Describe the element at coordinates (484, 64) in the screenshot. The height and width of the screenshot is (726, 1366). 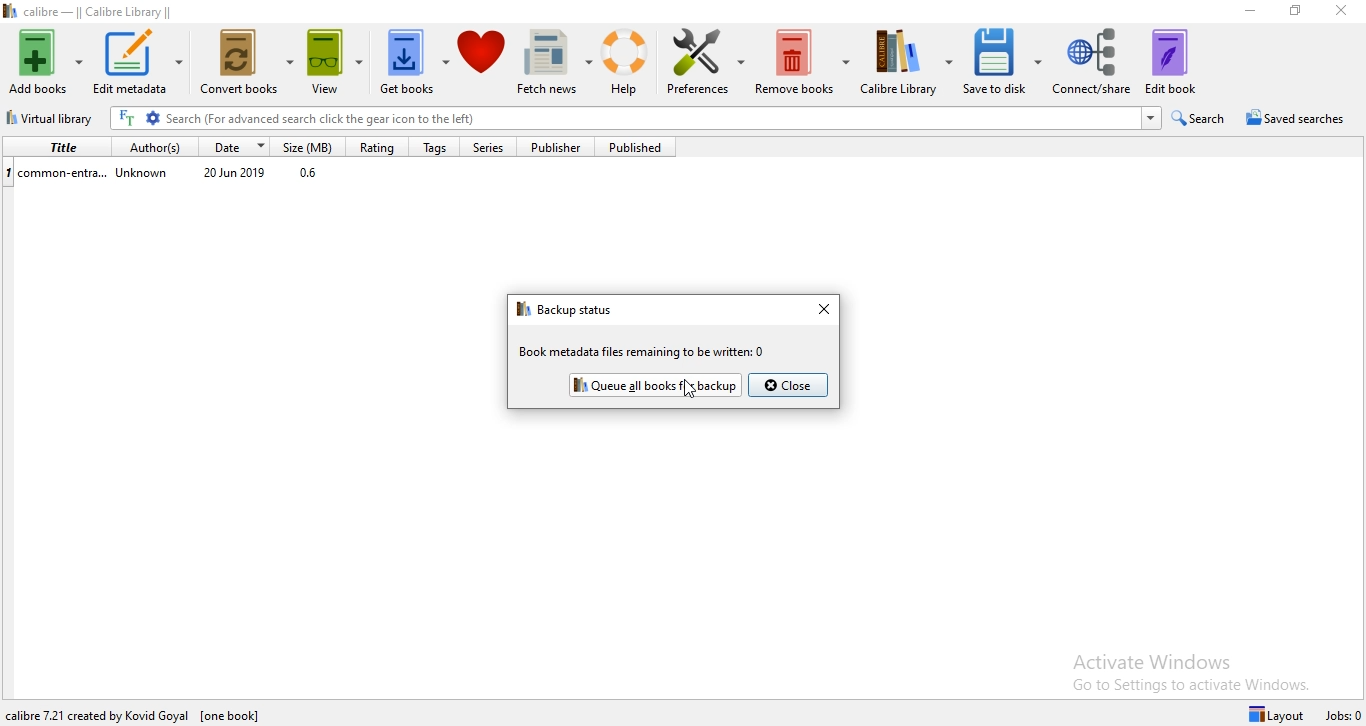
I see `Donate to calibre` at that location.